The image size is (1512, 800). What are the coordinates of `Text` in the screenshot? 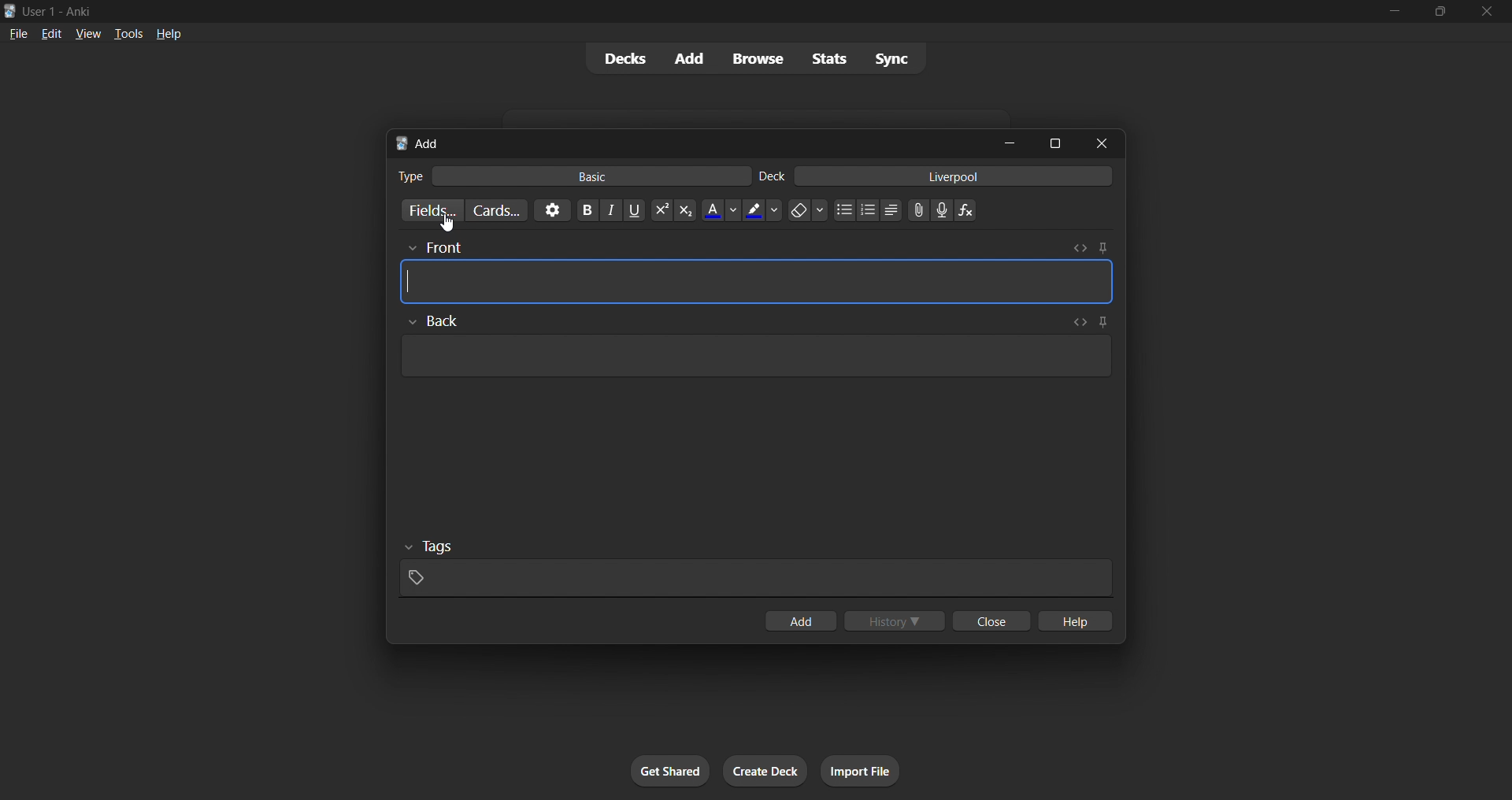 It's located at (409, 176).